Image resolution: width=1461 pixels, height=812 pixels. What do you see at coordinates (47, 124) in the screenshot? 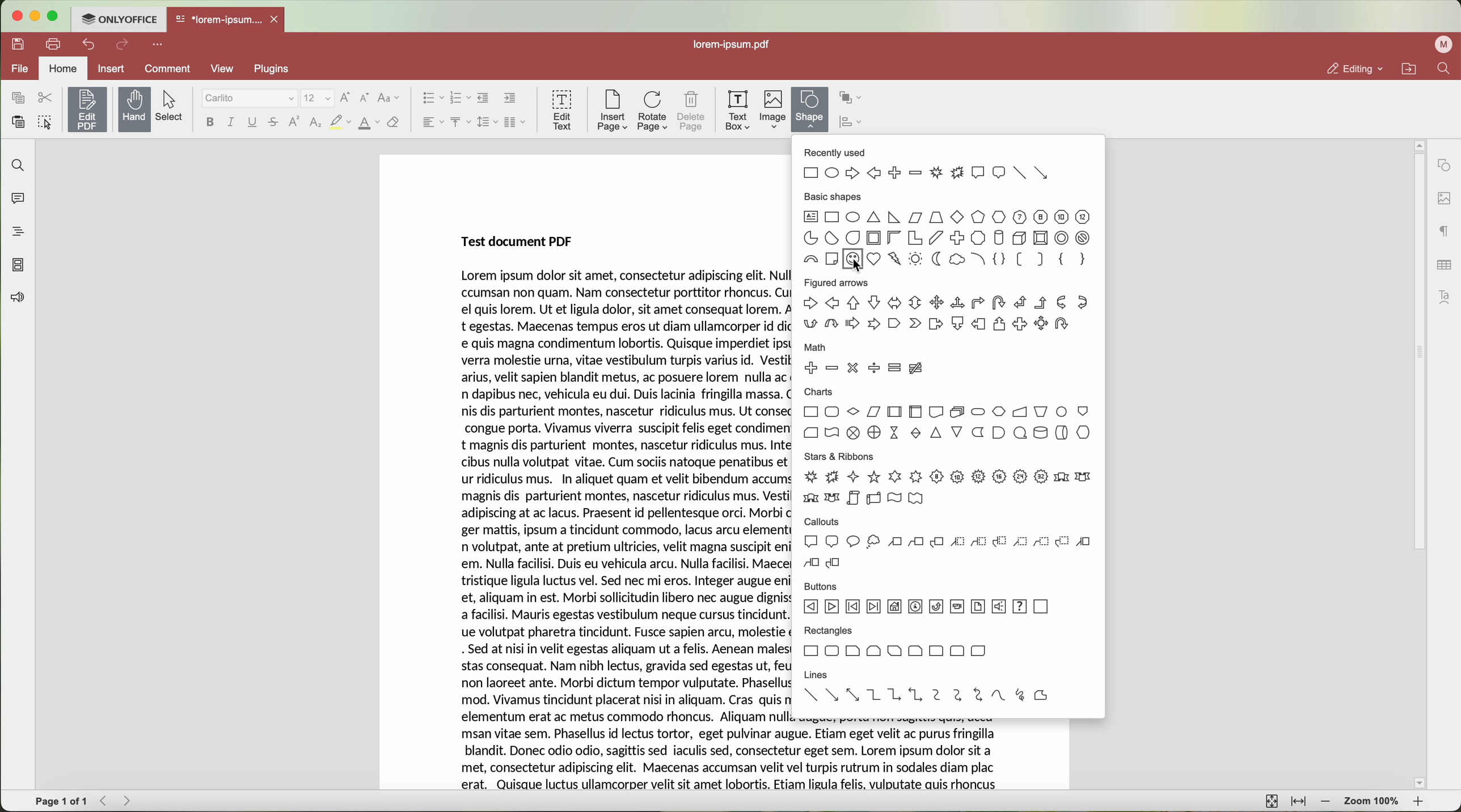
I see `select all` at bounding box center [47, 124].